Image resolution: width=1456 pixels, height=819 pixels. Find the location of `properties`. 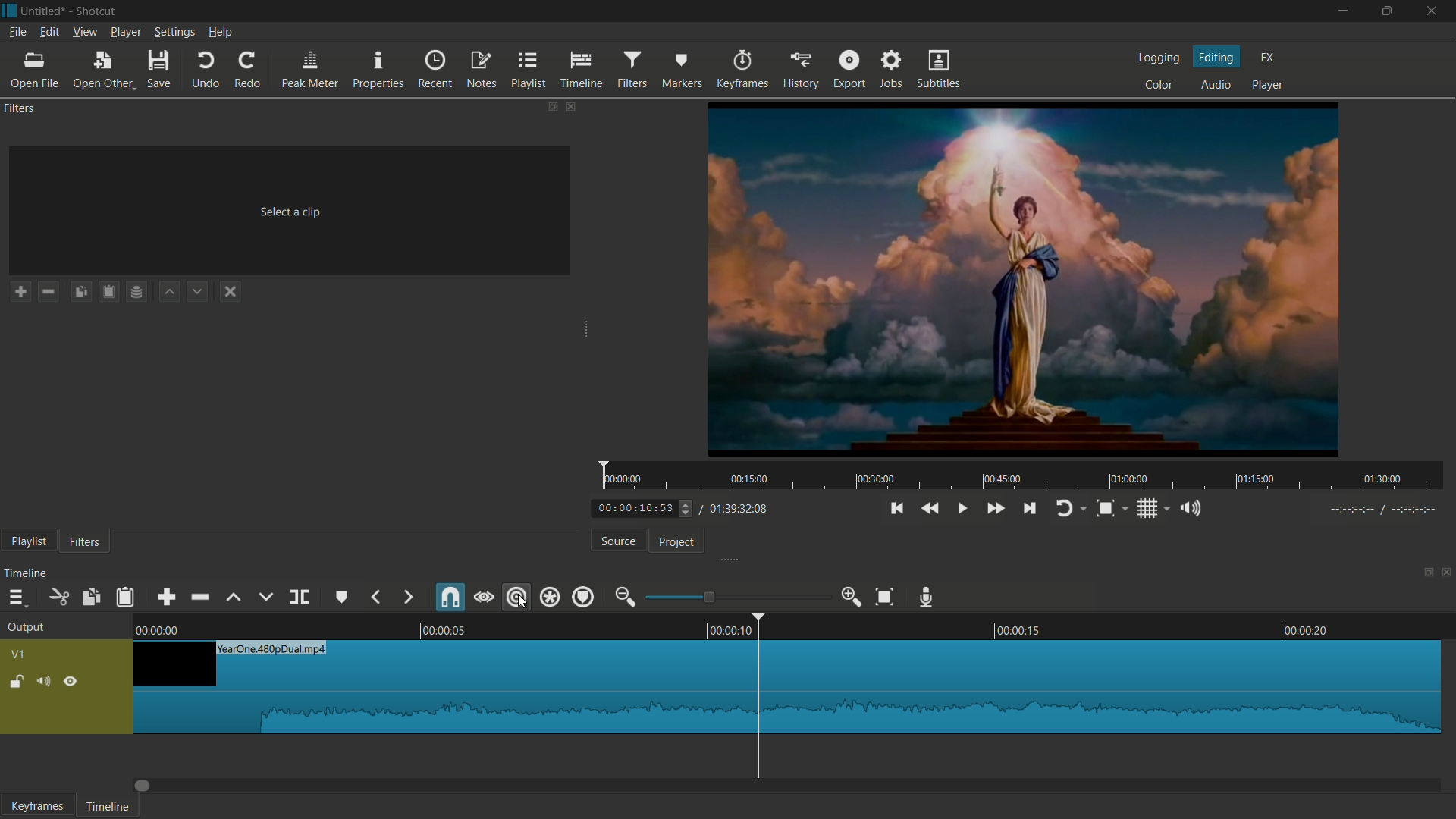

properties is located at coordinates (377, 69).